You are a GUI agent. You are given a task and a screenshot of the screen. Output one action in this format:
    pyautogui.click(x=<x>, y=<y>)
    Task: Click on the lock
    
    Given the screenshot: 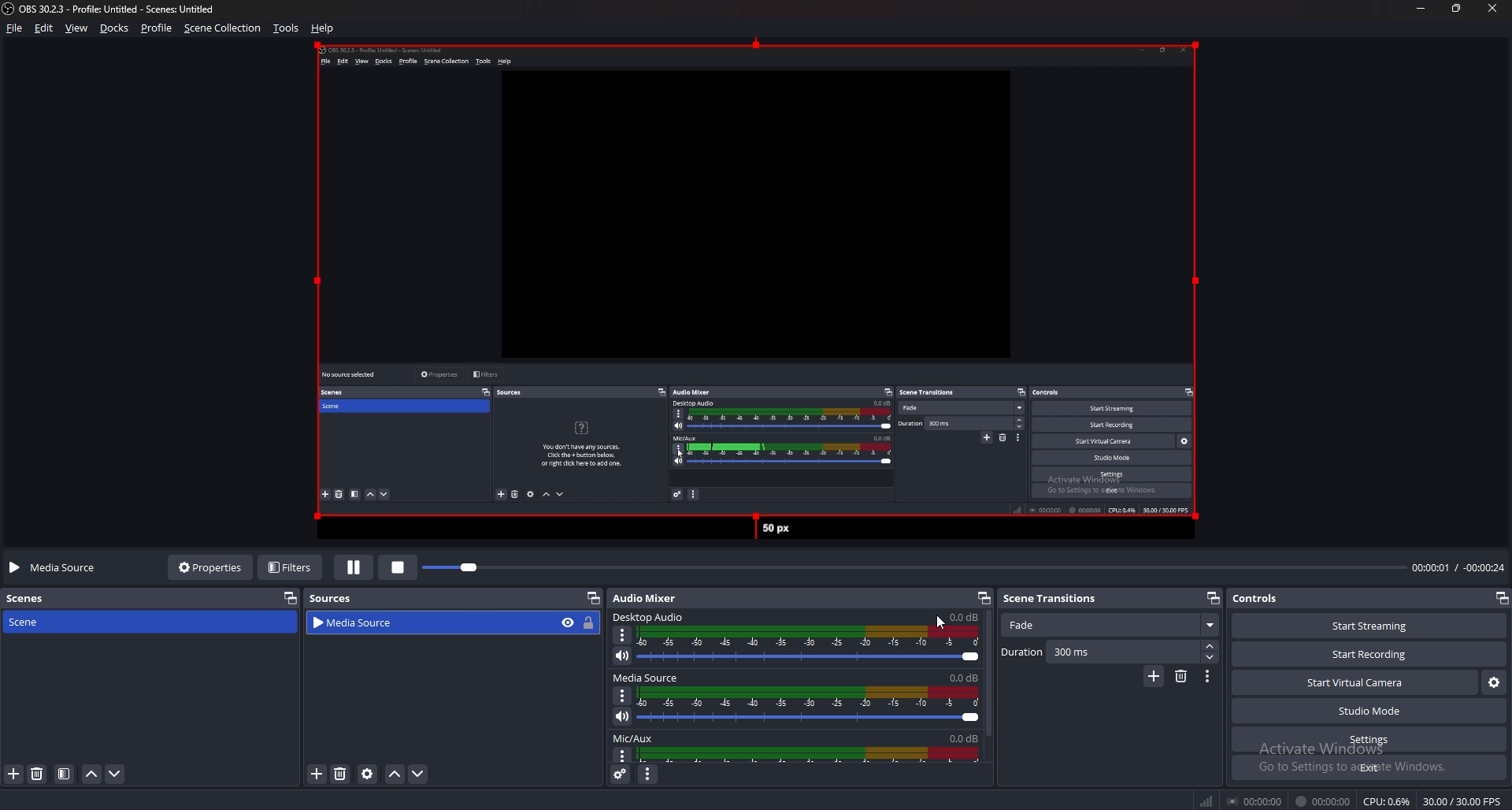 What is the action you would take?
    pyautogui.click(x=587, y=624)
    